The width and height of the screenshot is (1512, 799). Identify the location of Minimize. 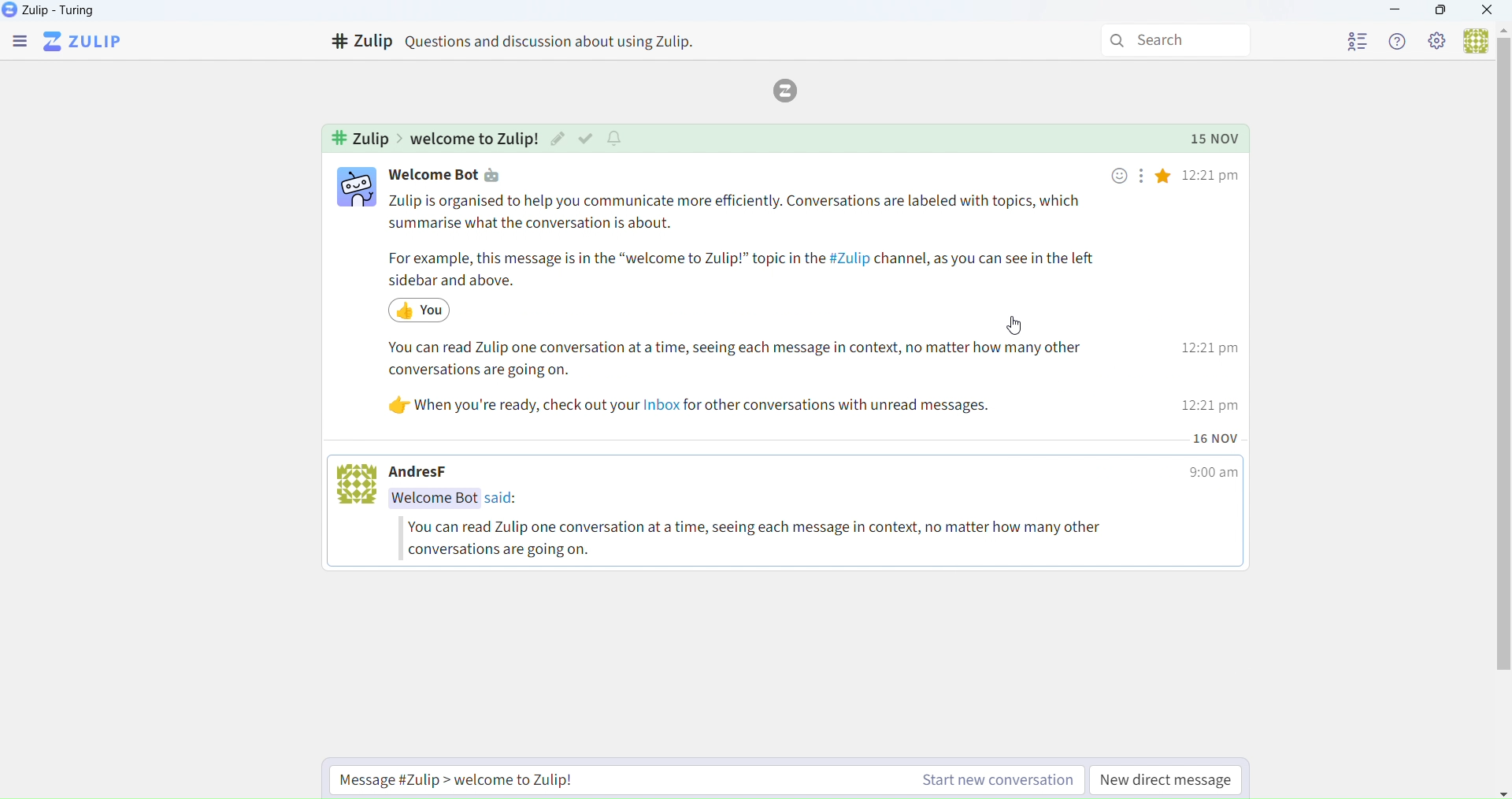
(1399, 11).